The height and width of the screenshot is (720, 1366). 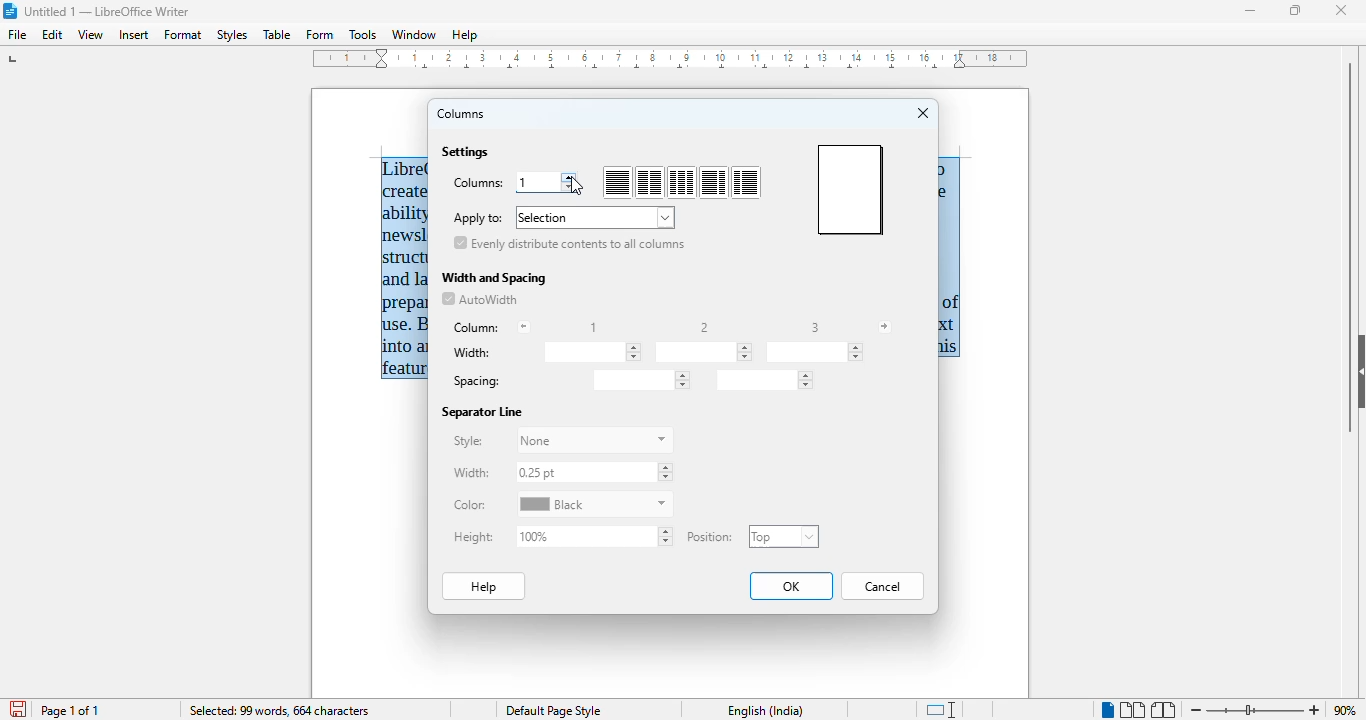 What do you see at coordinates (1256, 710) in the screenshot?
I see `Change zoom level` at bounding box center [1256, 710].